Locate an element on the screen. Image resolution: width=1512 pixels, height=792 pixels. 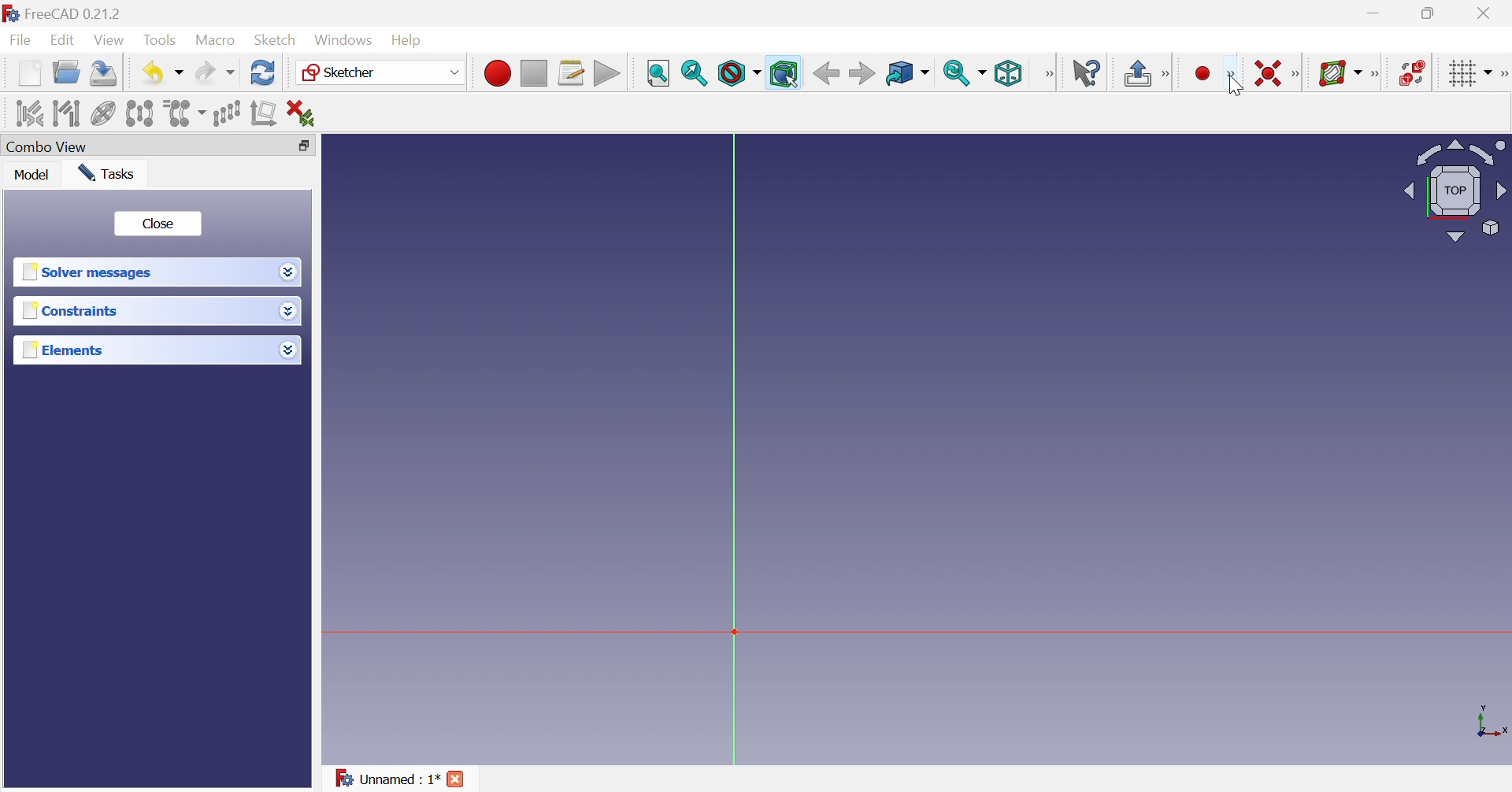
Show/hide B-spline information layer is located at coordinates (1339, 73).